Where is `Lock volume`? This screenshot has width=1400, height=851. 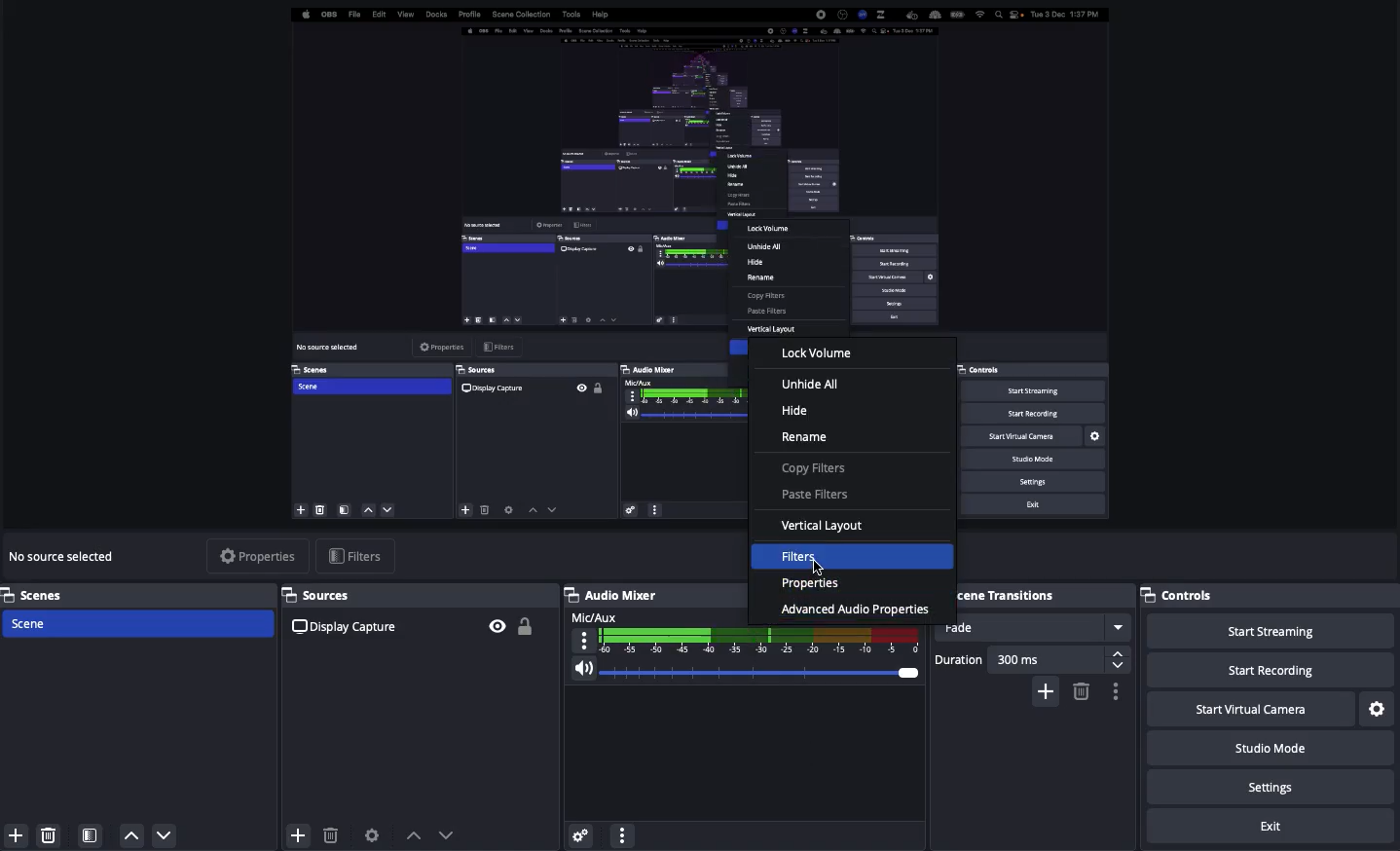
Lock volume is located at coordinates (820, 355).